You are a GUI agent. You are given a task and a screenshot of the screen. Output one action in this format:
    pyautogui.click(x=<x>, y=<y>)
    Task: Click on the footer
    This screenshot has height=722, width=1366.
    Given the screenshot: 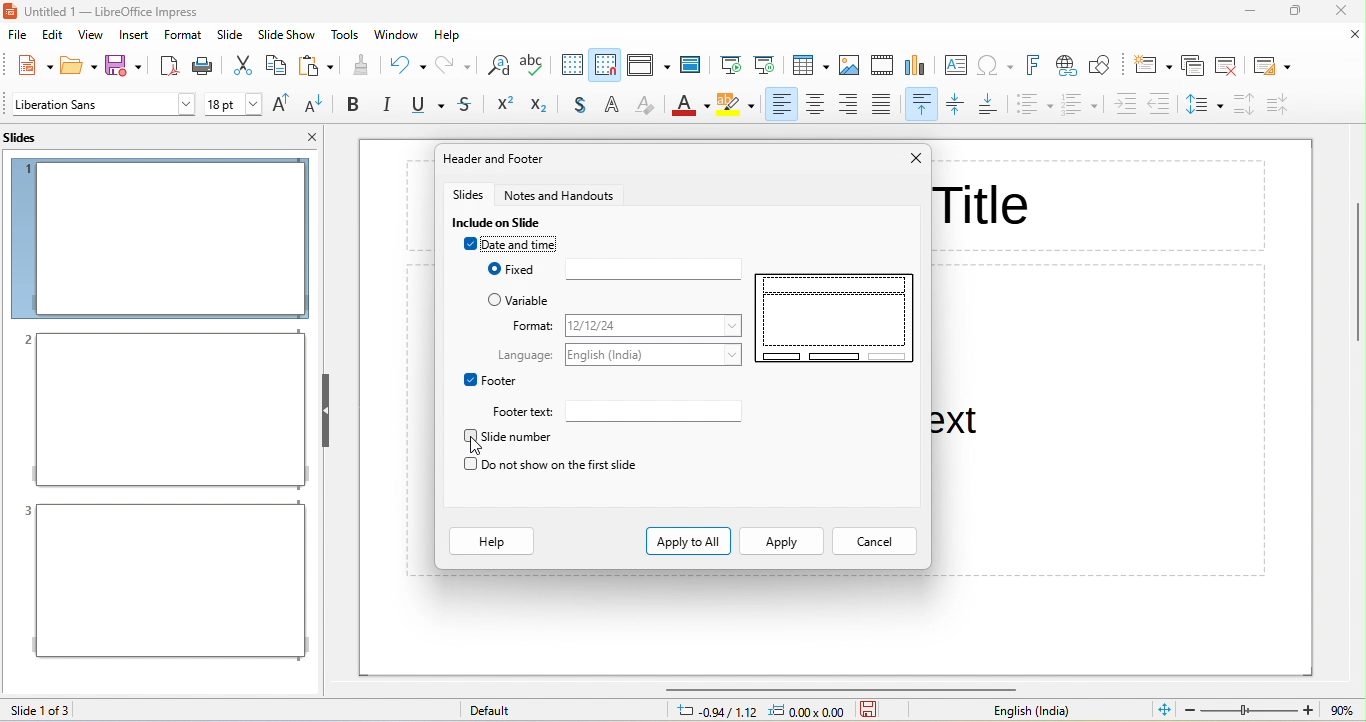 What is the action you would take?
    pyautogui.click(x=500, y=380)
    